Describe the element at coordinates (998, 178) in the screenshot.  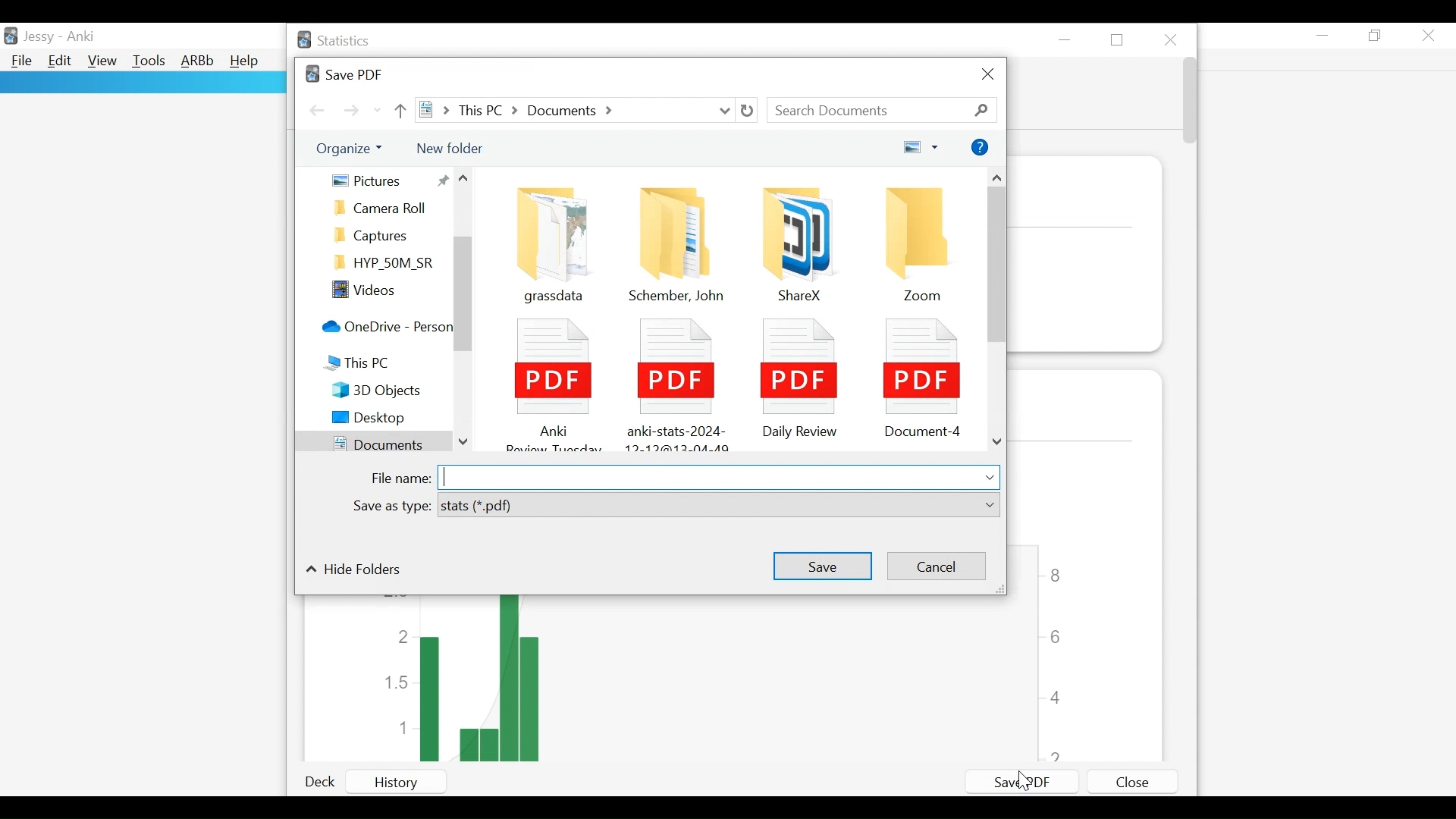
I see `Scroll up` at that location.